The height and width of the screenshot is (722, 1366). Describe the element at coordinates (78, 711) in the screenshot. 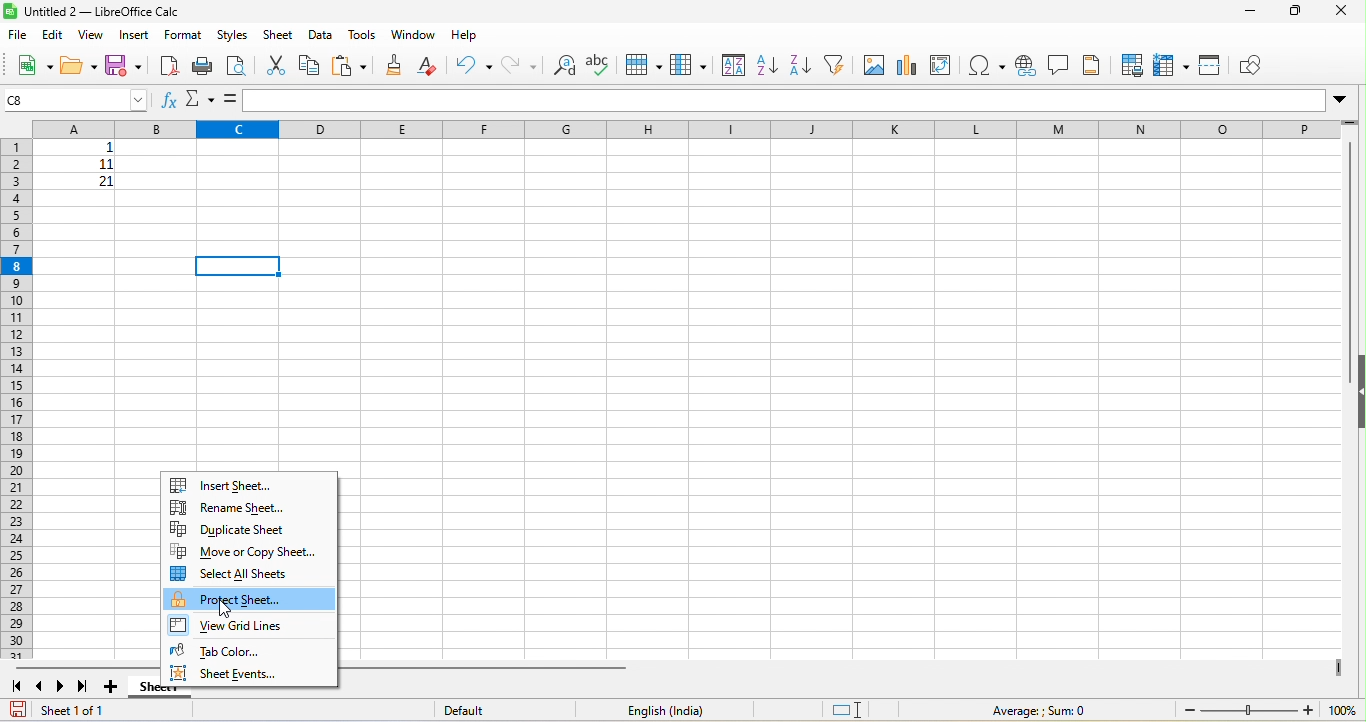

I see `sheet 1 of 1` at that location.